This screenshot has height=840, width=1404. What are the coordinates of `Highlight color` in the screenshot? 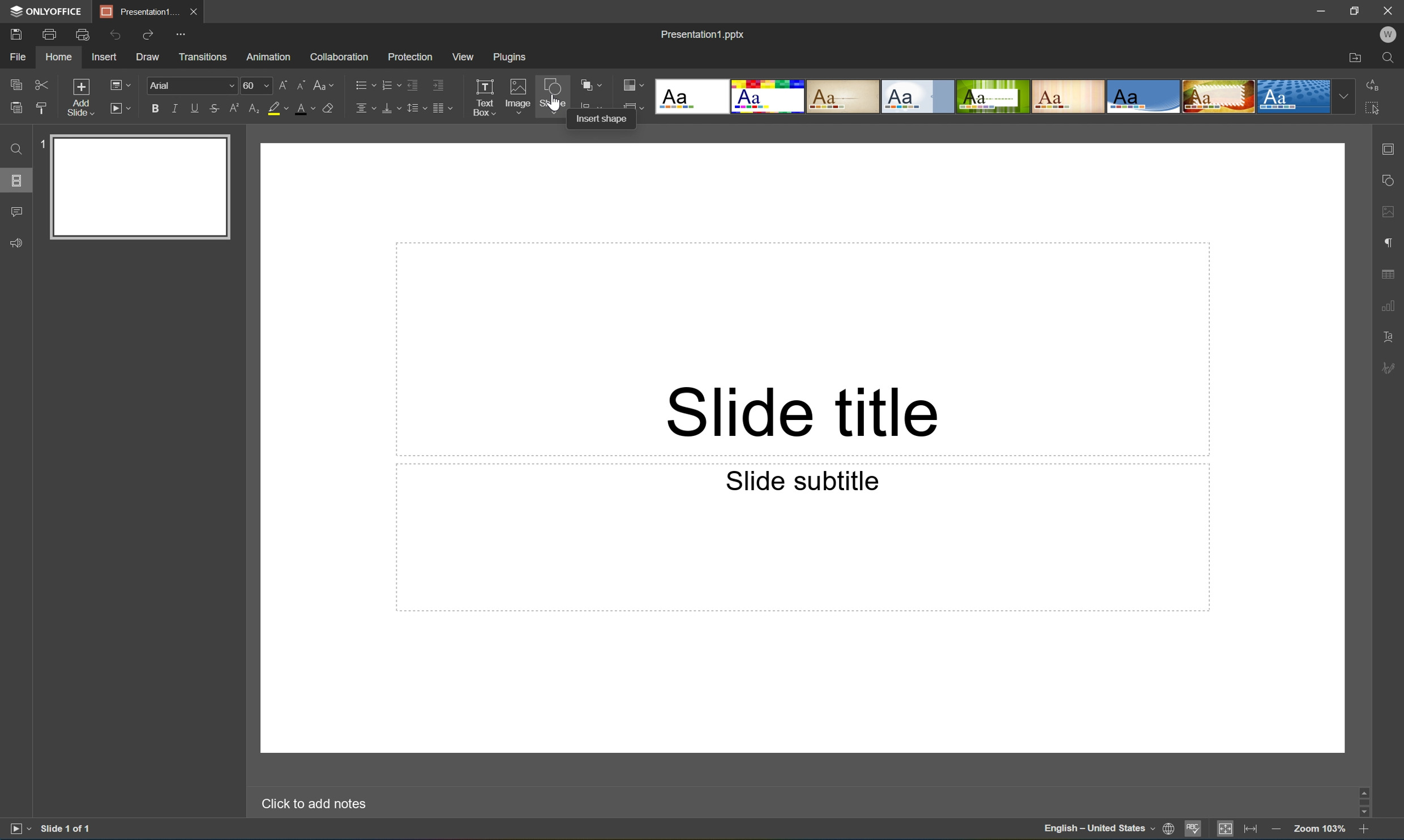 It's located at (282, 109).